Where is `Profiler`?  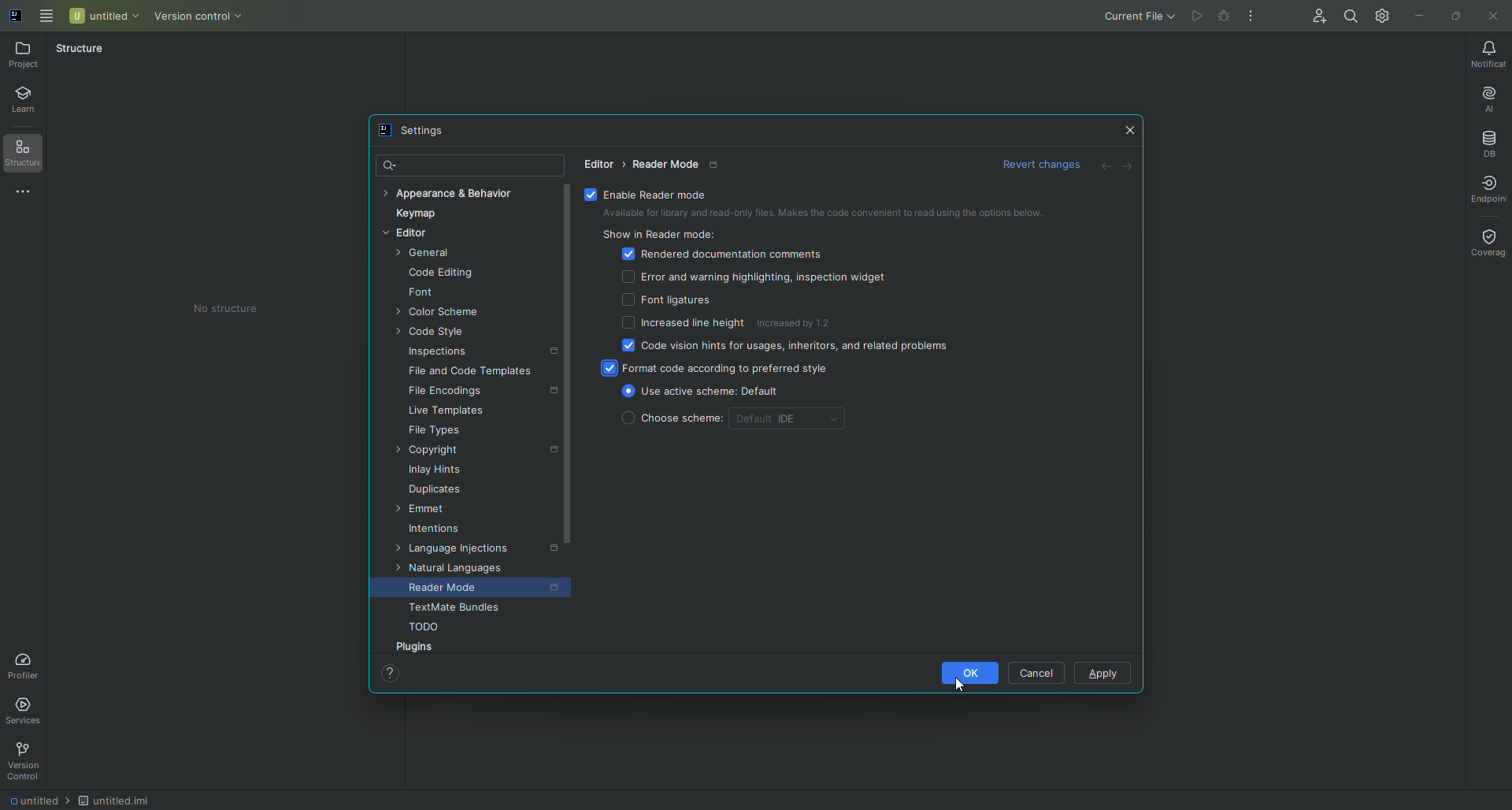 Profiler is located at coordinates (28, 663).